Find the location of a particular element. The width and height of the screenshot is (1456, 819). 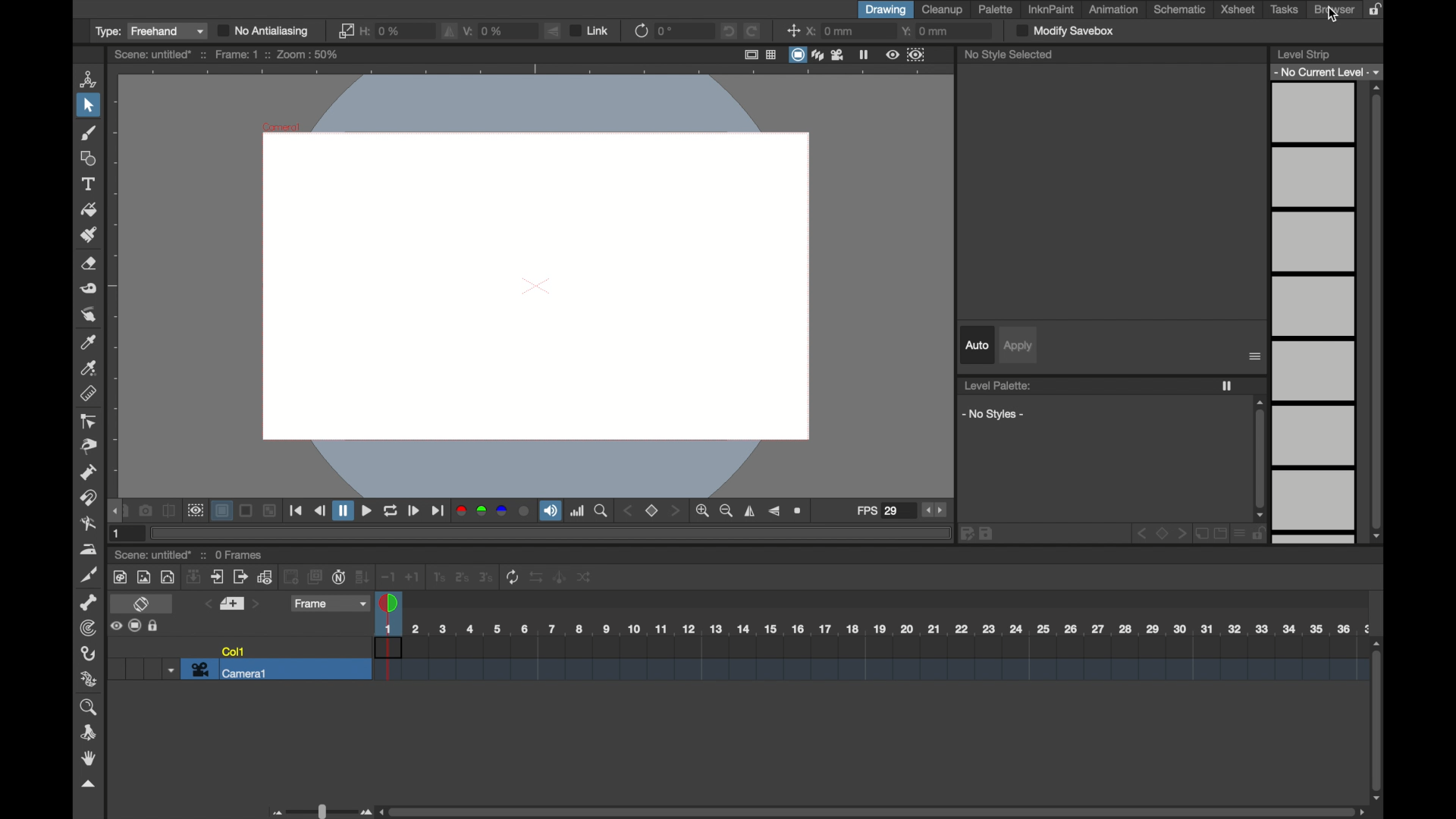

3 is located at coordinates (486, 576).